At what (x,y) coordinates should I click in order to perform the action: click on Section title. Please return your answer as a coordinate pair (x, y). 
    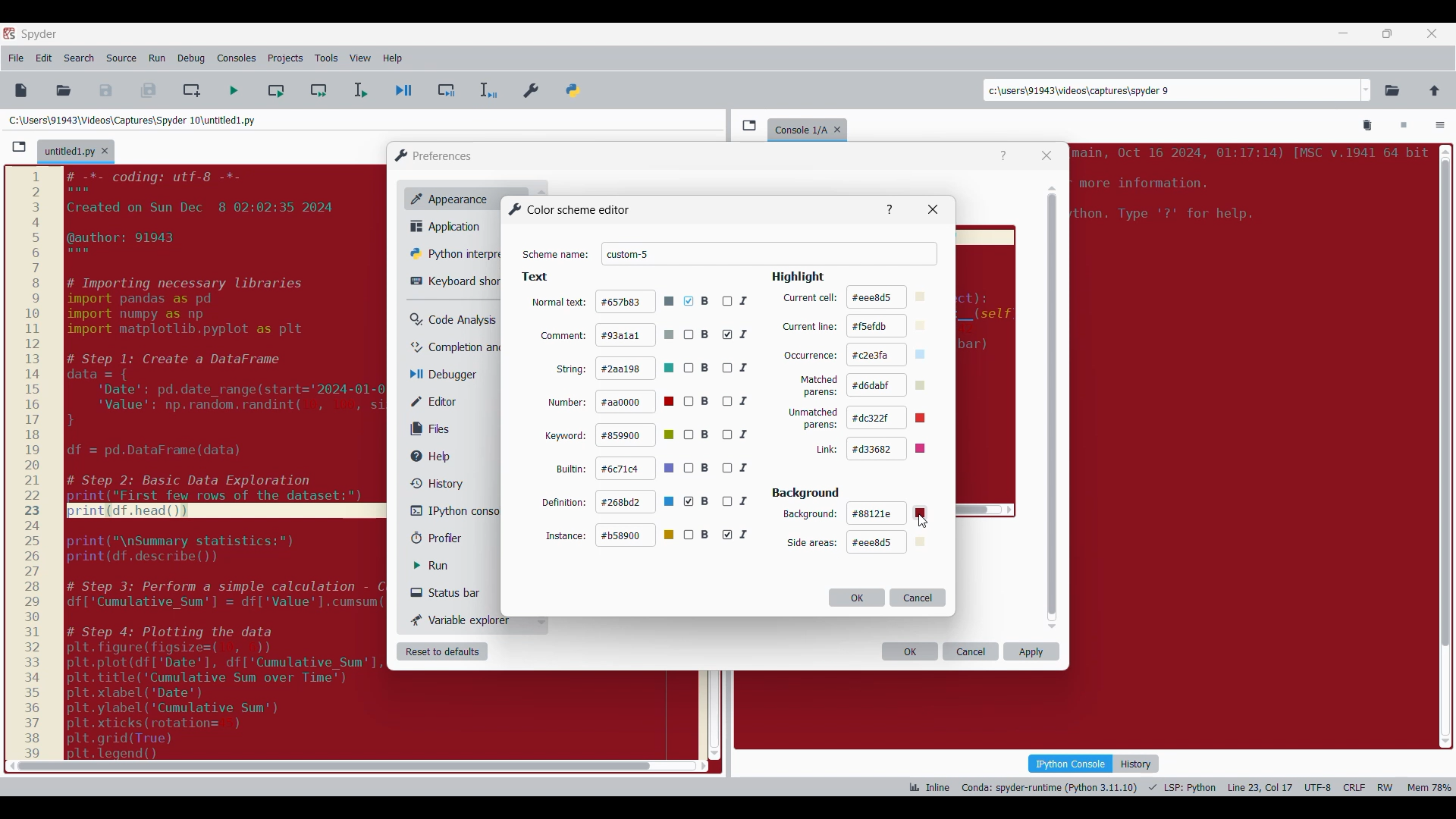
    Looking at the image, I should click on (806, 493).